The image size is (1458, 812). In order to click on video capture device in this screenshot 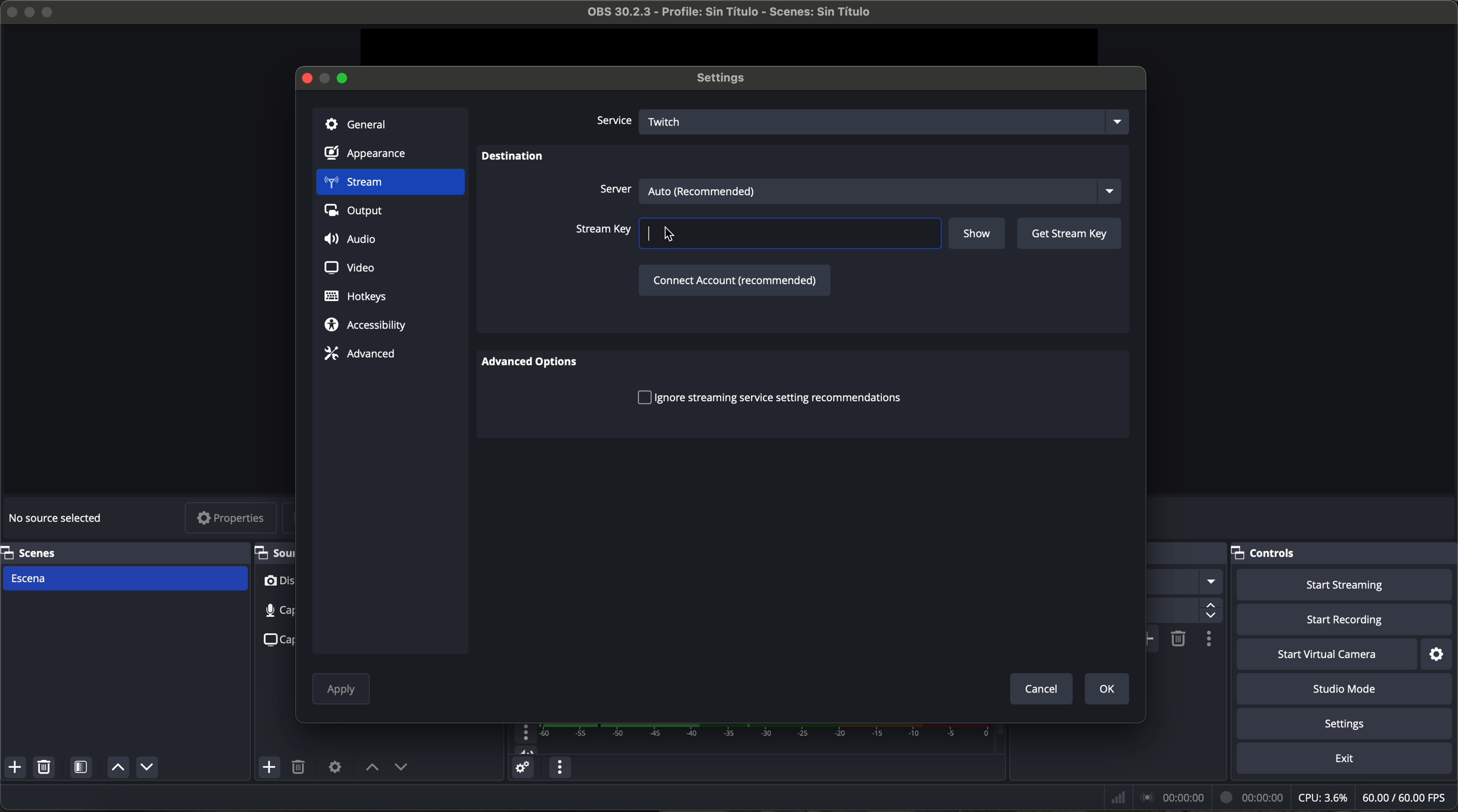, I will do `click(278, 583)`.